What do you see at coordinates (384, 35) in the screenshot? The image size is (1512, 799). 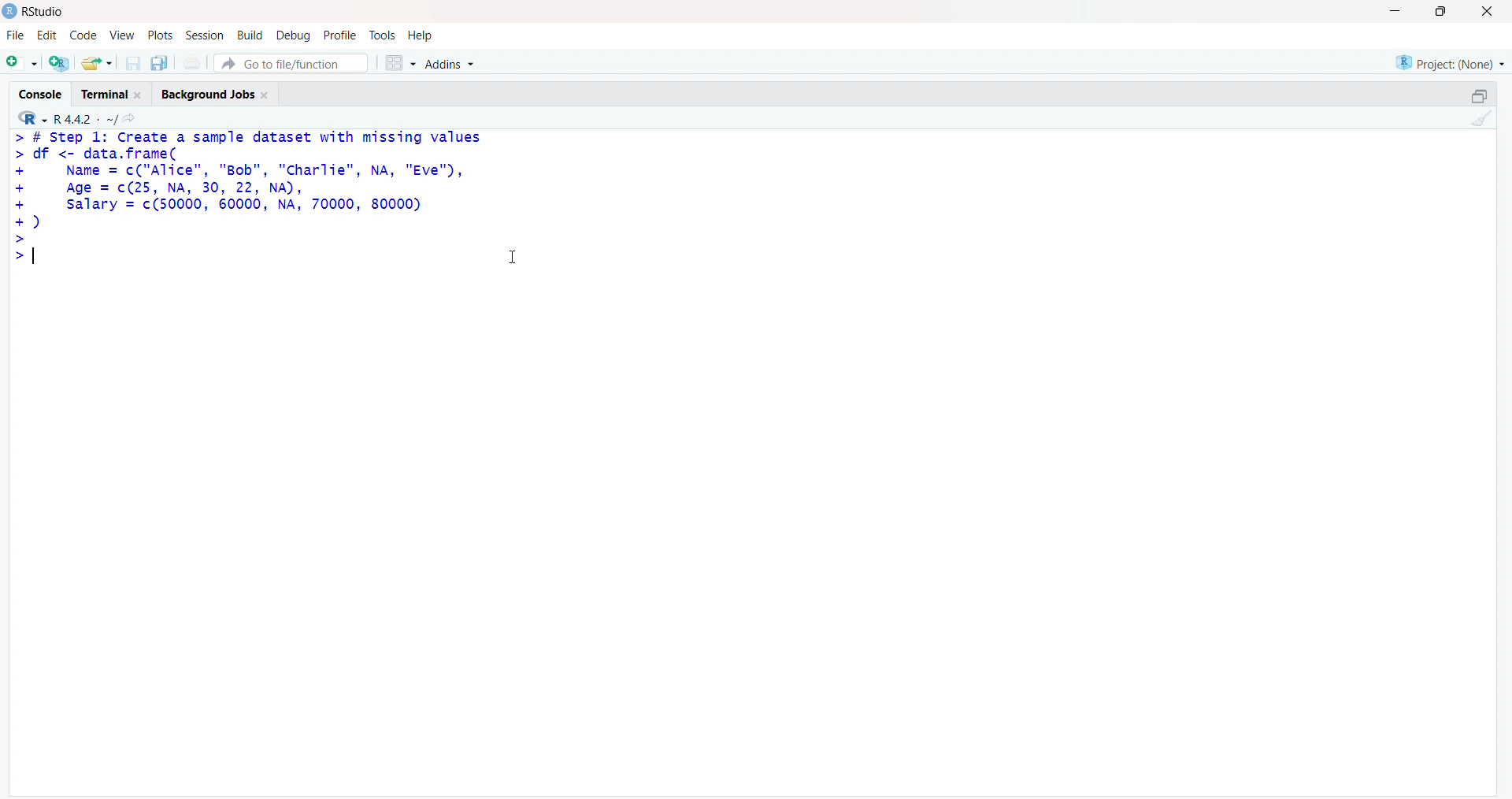 I see `Tools` at bounding box center [384, 35].